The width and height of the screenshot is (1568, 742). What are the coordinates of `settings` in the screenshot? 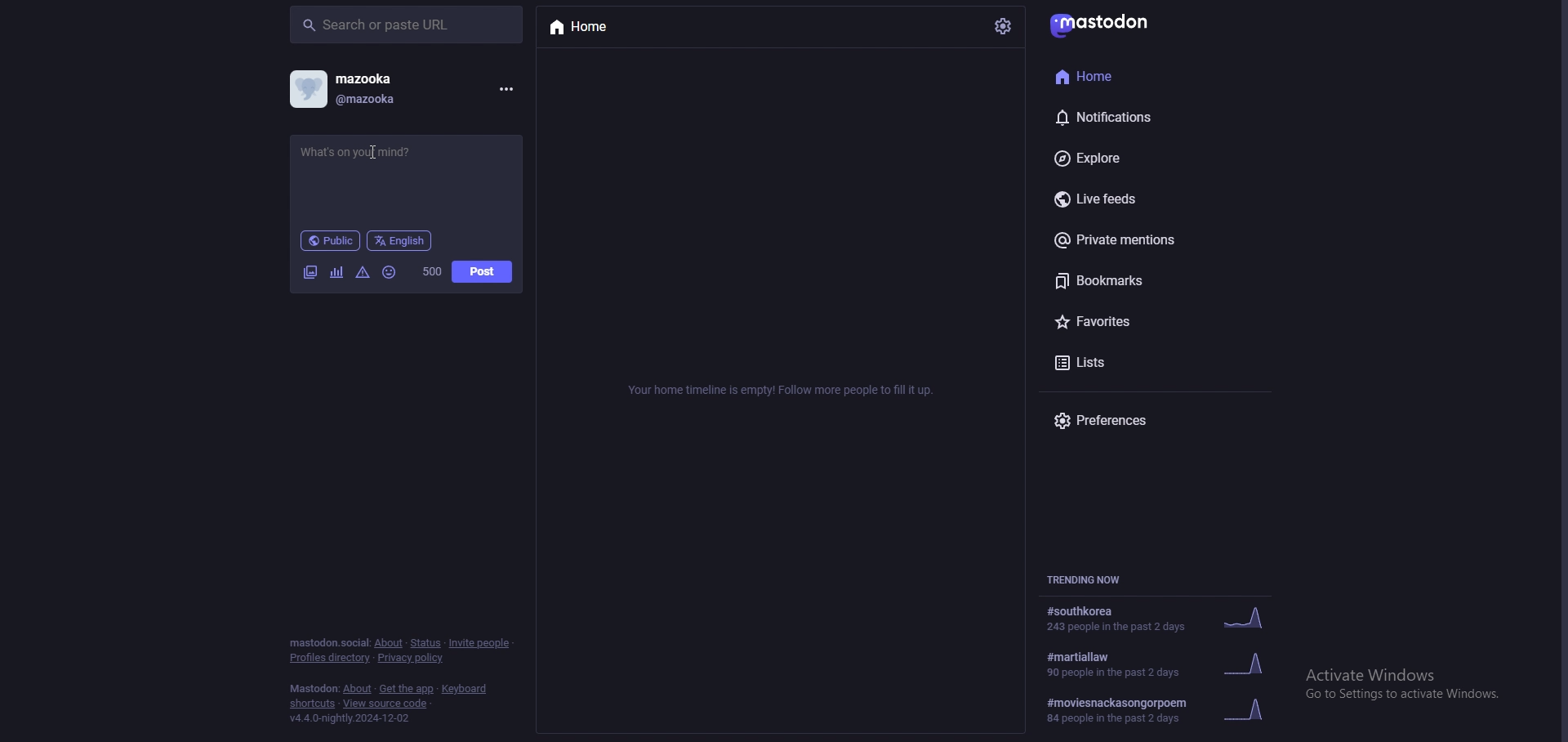 It's located at (1005, 26).